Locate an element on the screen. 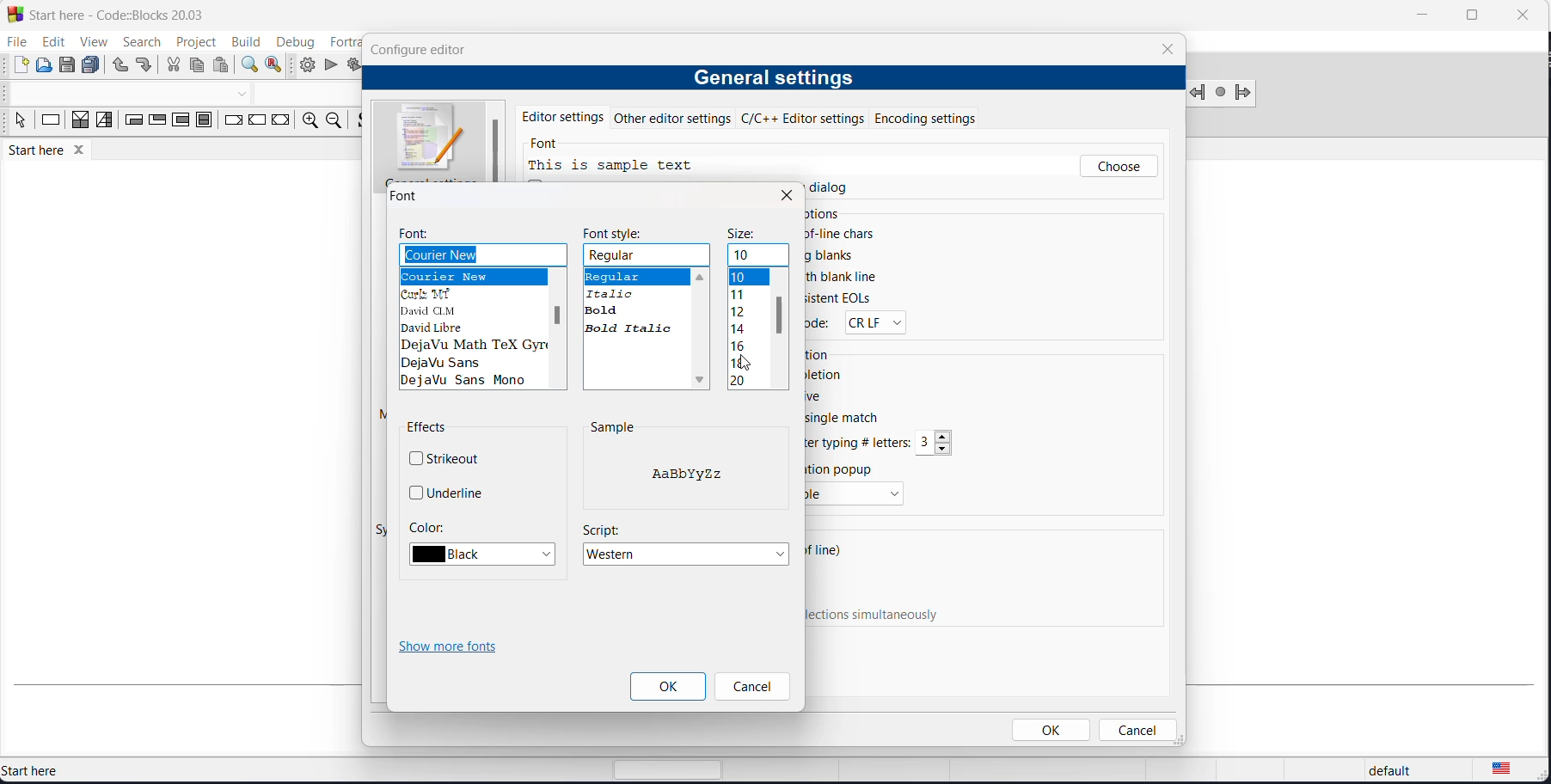 The height and width of the screenshot is (784, 1551). Options is located at coordinates (825, 215).